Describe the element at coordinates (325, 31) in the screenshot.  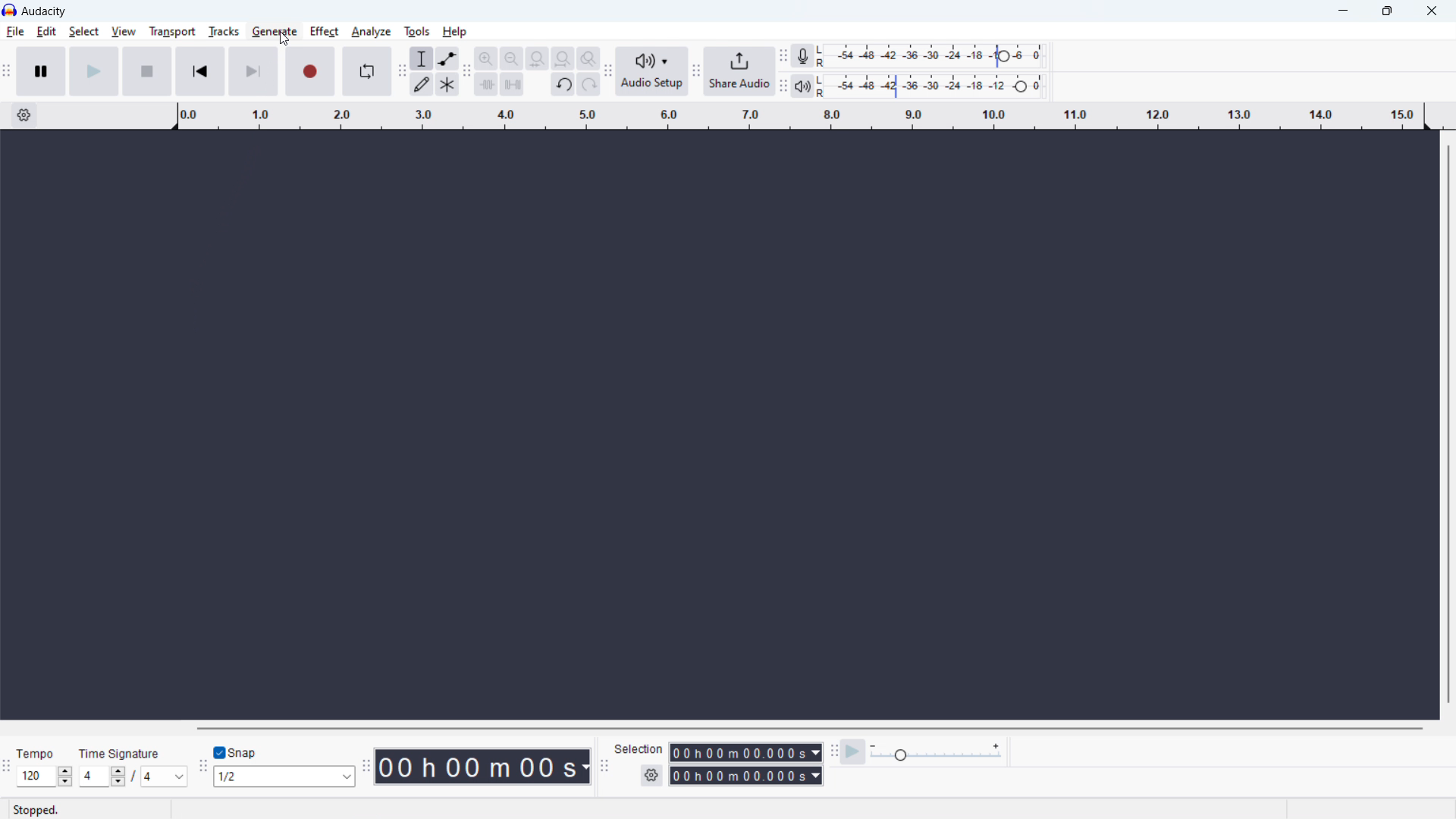
I see `effect` at that location.